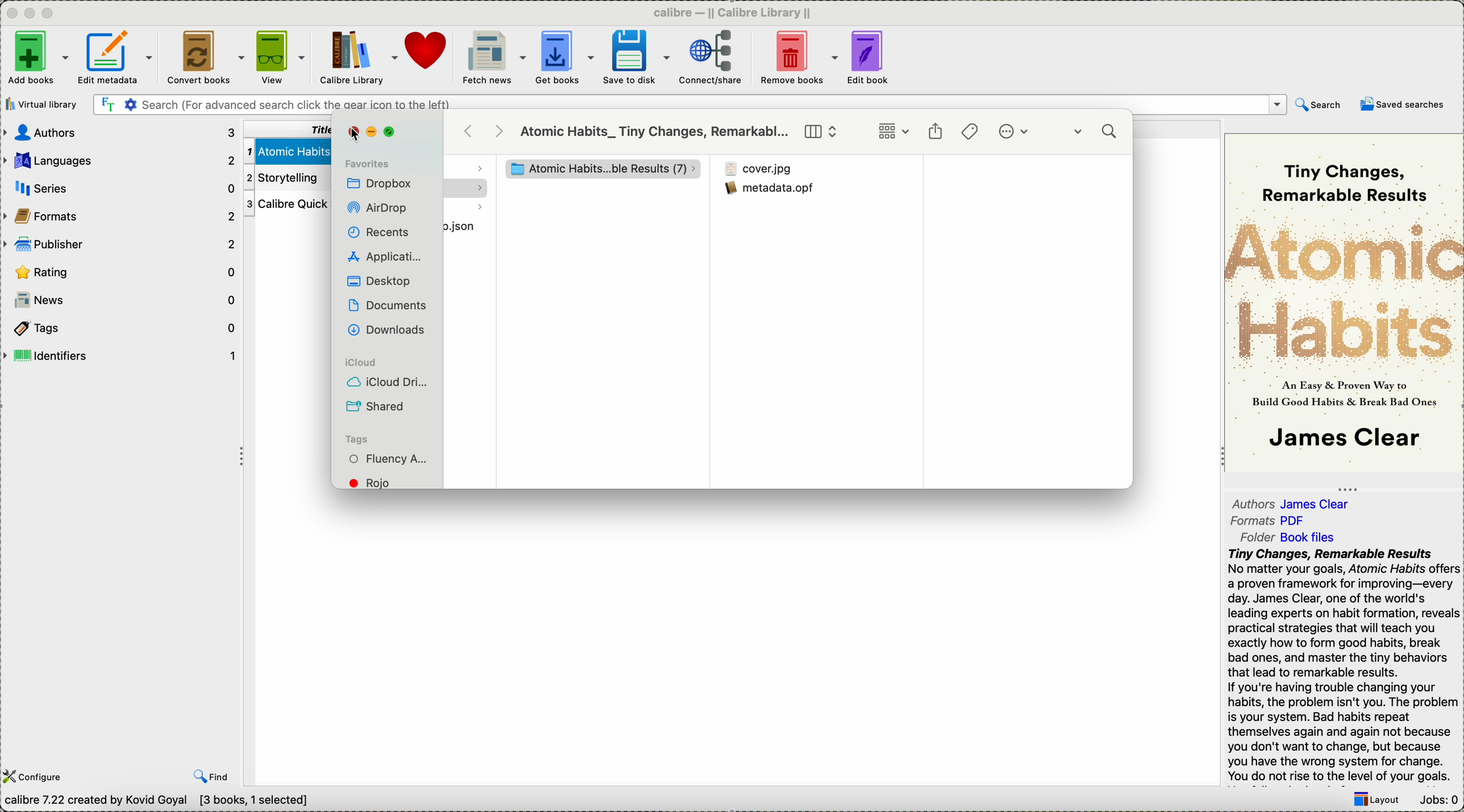 Image resolution: width=1464 pixels, height=812 pixels. What do you see at coordinates (121, 243) in the screenshot?
I see `publisher` at bounding box center [121, 243].